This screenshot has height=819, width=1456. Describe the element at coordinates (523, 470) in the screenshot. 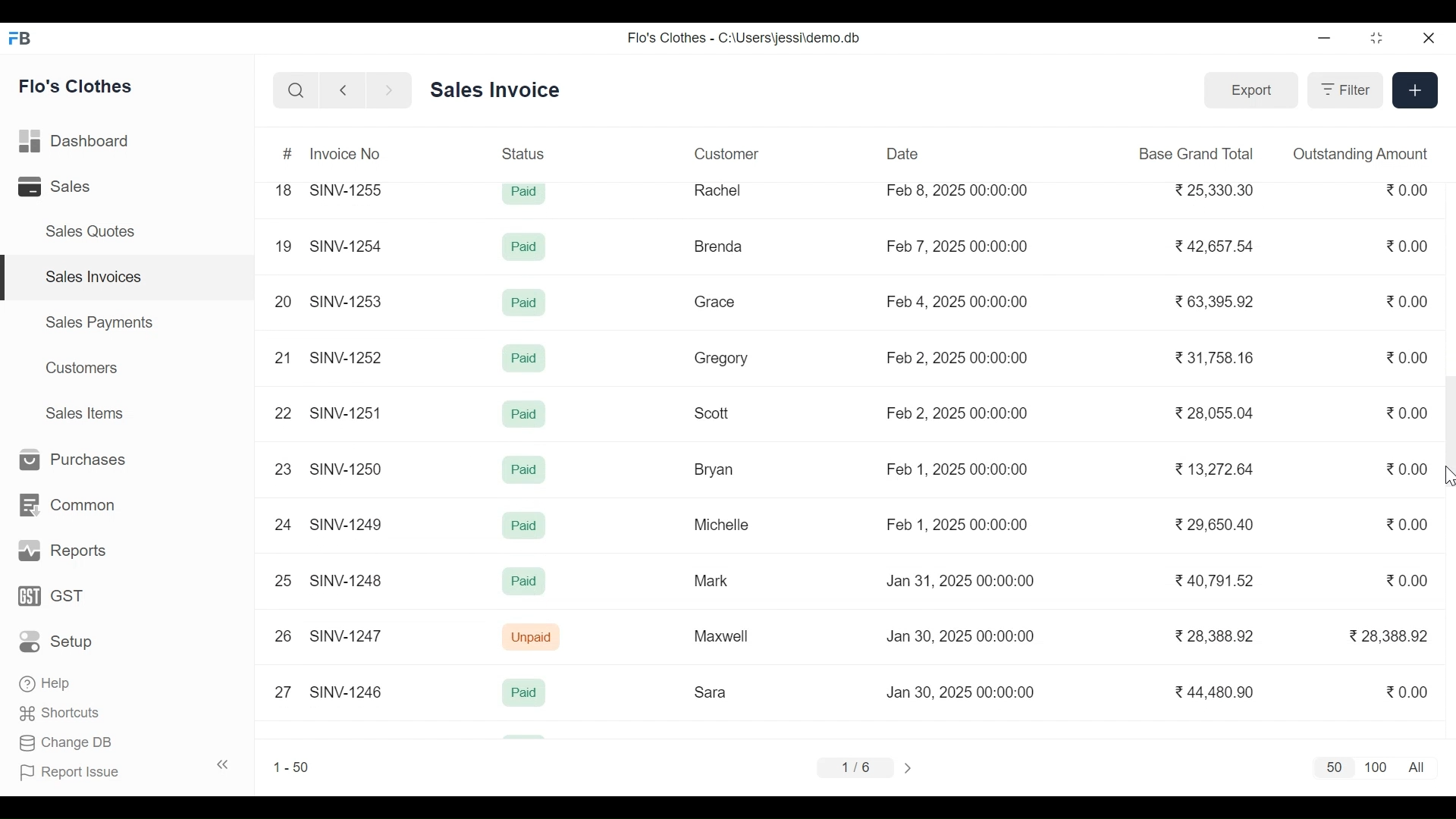

I see `Paid` at that location.